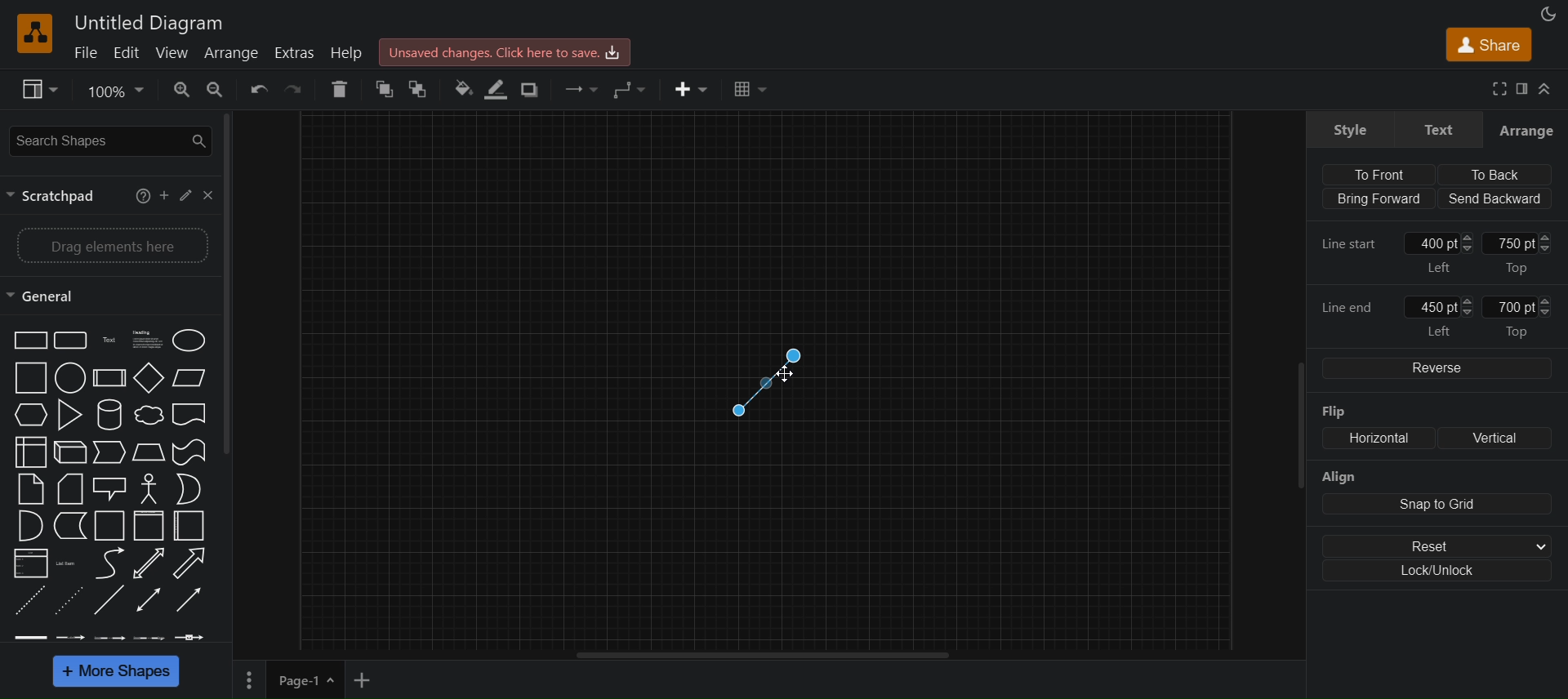 The height and width of the screenshot is (699, 1568). What do you see at coordinates (781, 374) in the screenshot?
I see `Cursor` at bounding box center [781, 374].